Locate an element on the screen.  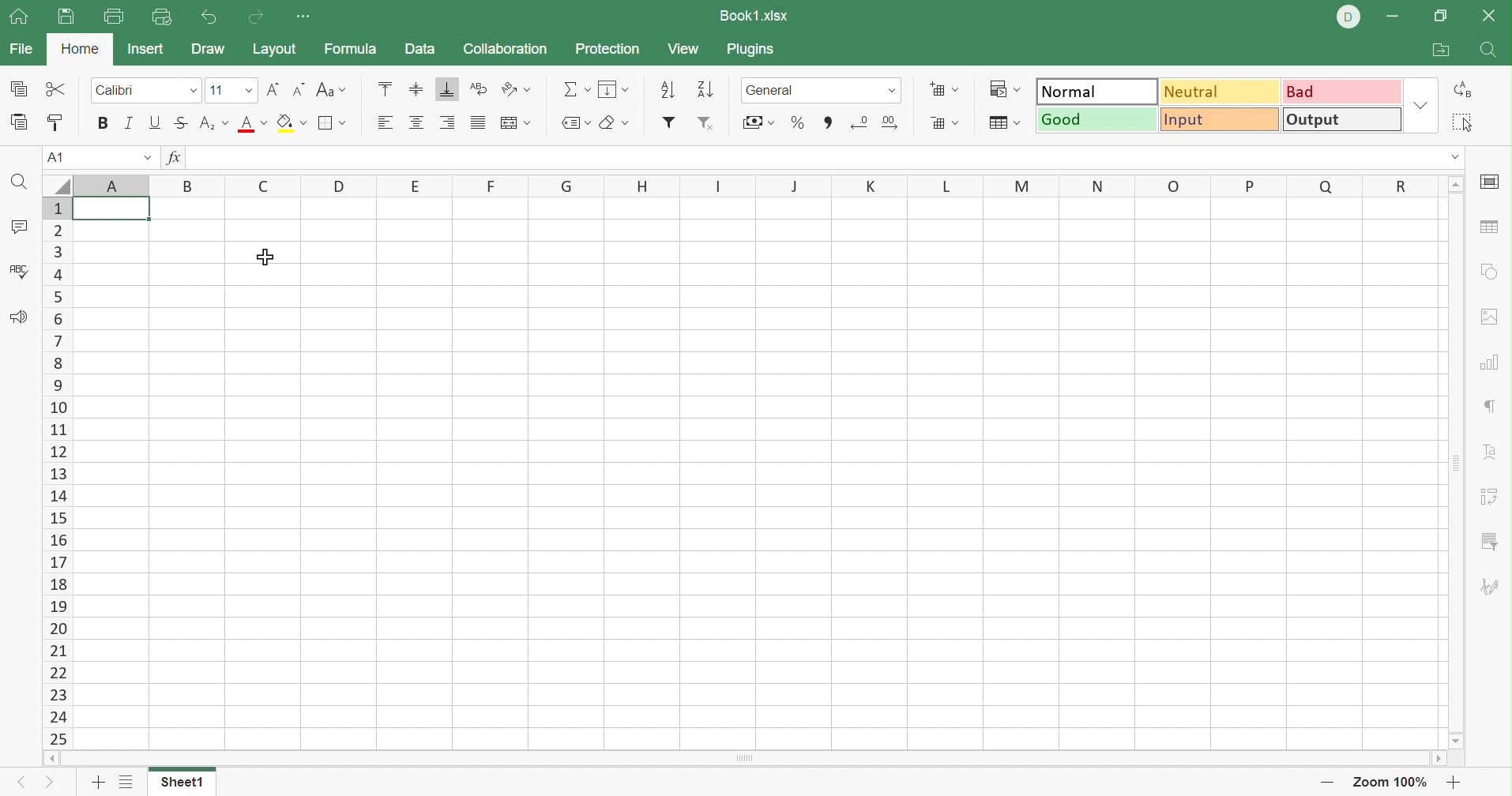
Layout is located at coordinates (274, 50).